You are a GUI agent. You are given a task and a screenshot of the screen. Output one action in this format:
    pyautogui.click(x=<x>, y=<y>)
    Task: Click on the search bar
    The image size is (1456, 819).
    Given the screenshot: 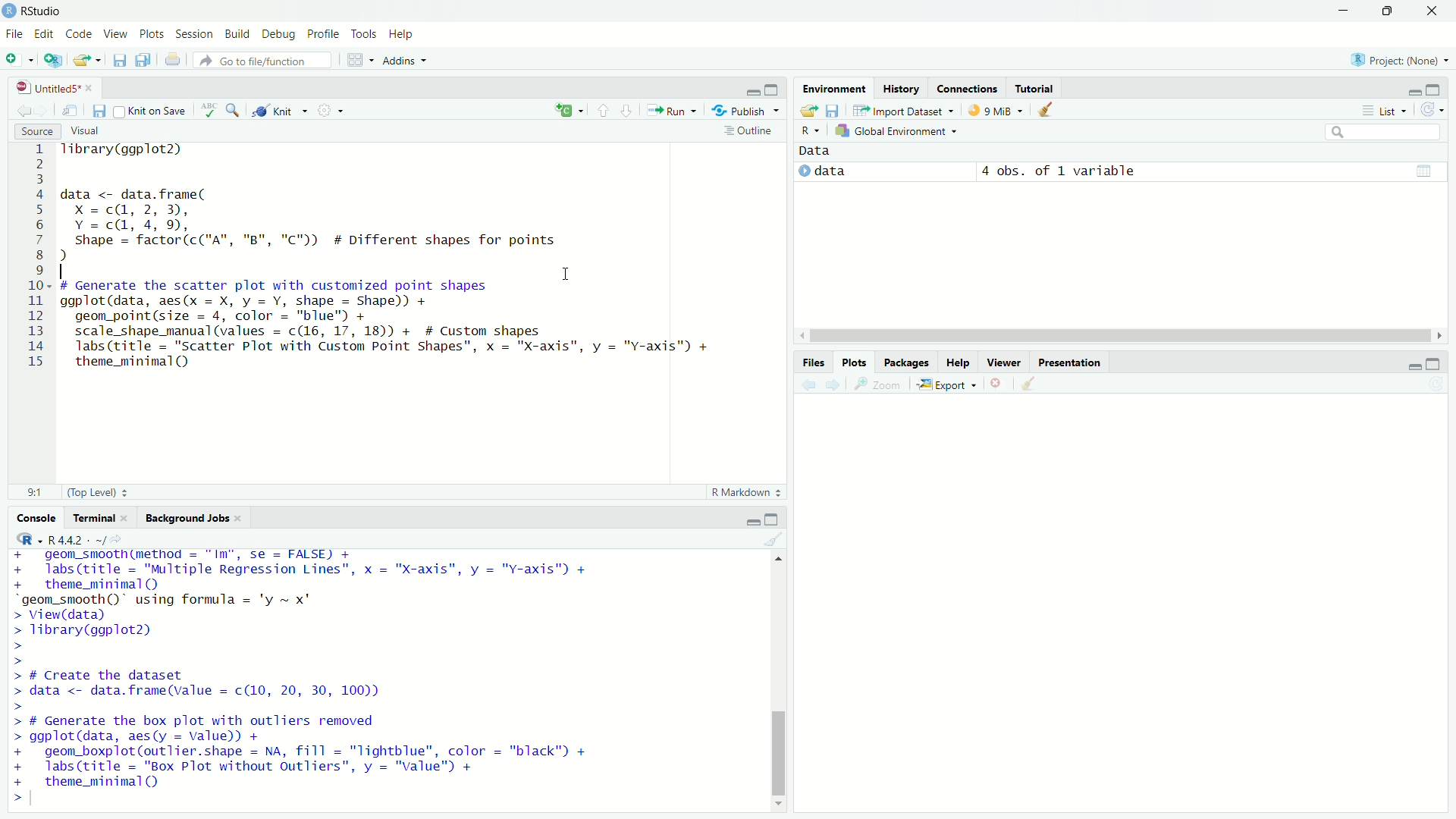 What is the action you would take?
    pyautogui.click(x=1384, y=133)
    